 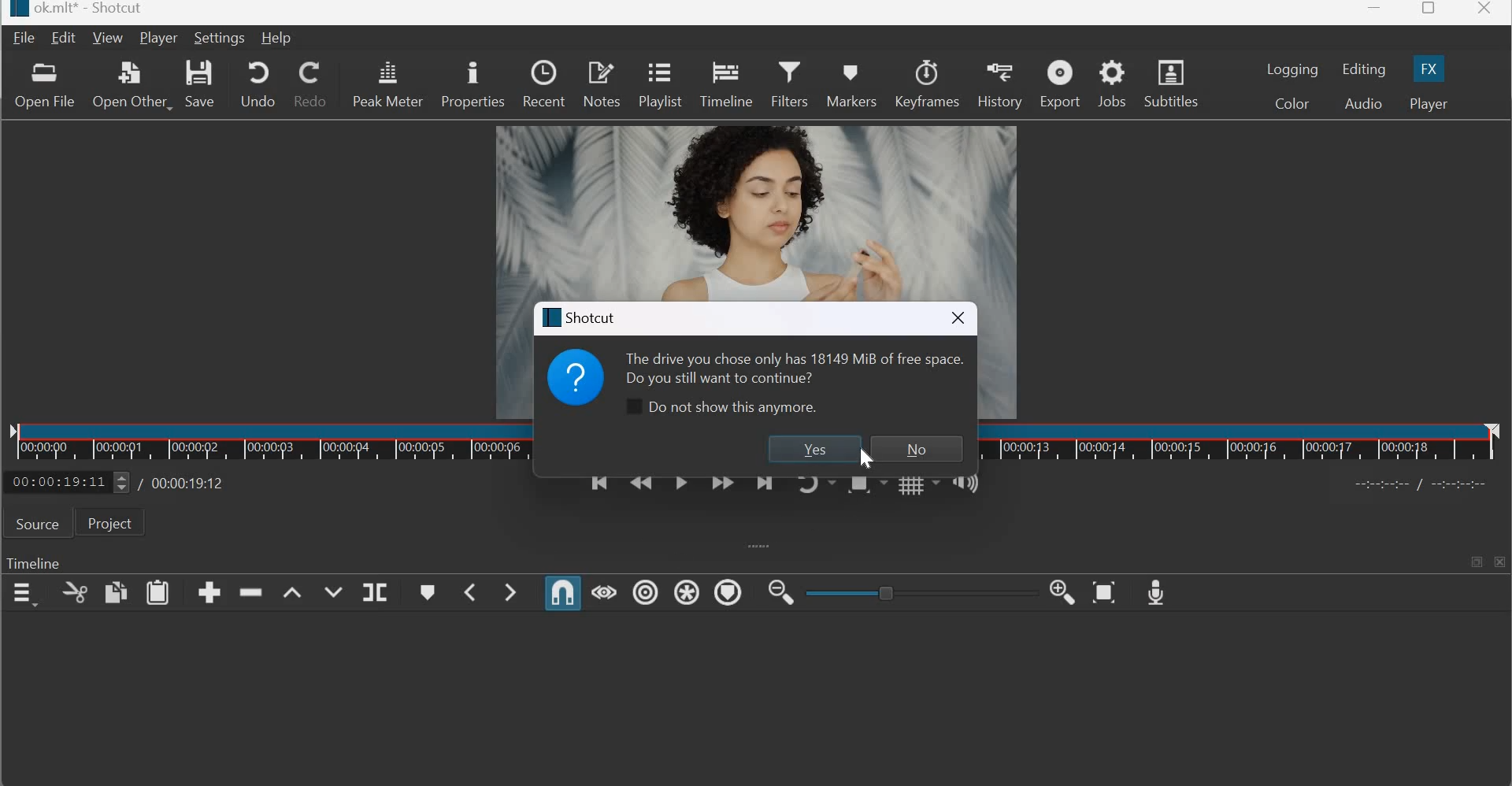 What do you see at coordinates (765, 488) in the screenshot?
I see `Skip to the next point` at bounding box center [765, 488].